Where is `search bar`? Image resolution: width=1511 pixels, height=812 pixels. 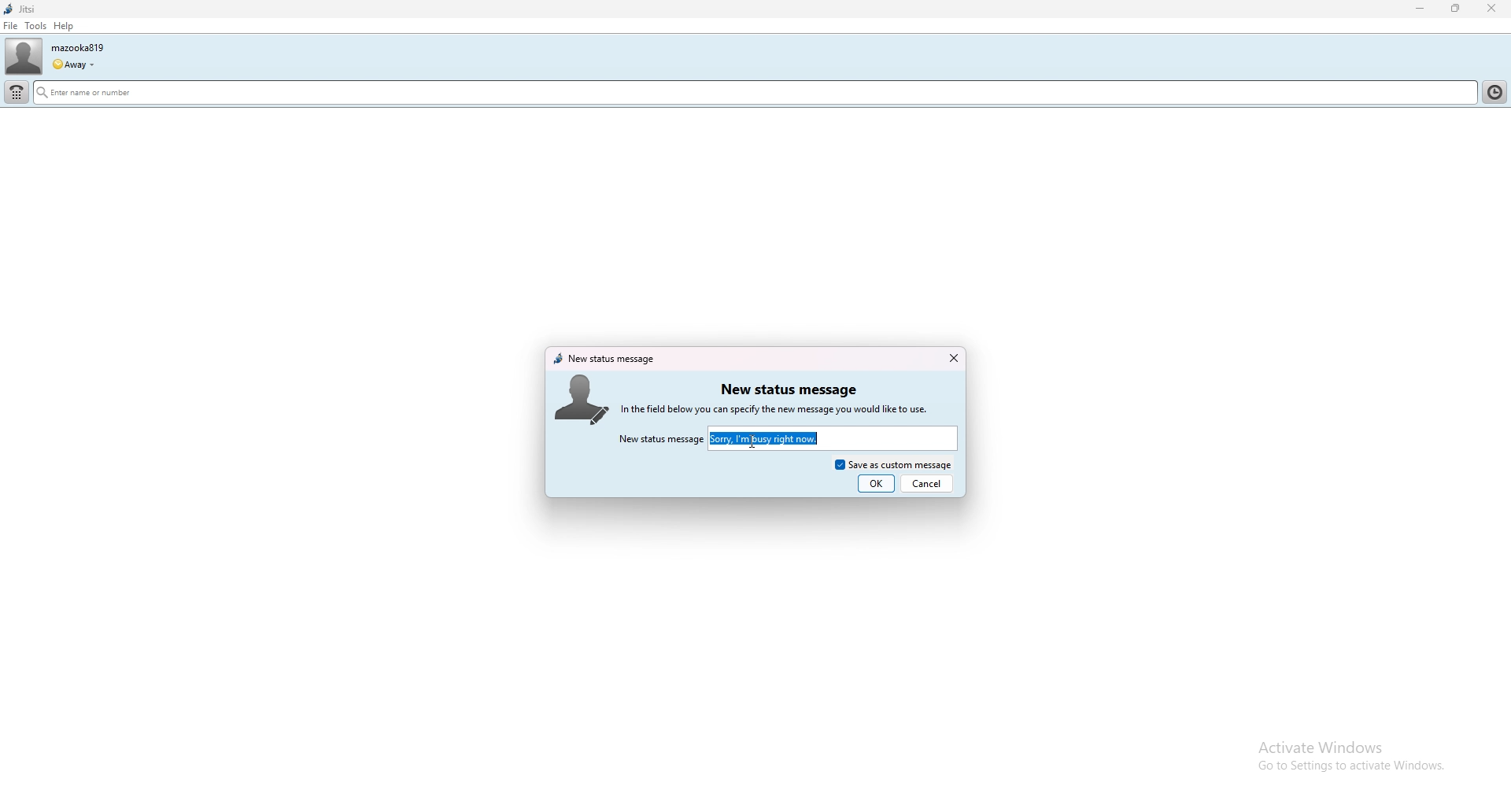 search bar is located at coordinates (626, 94).